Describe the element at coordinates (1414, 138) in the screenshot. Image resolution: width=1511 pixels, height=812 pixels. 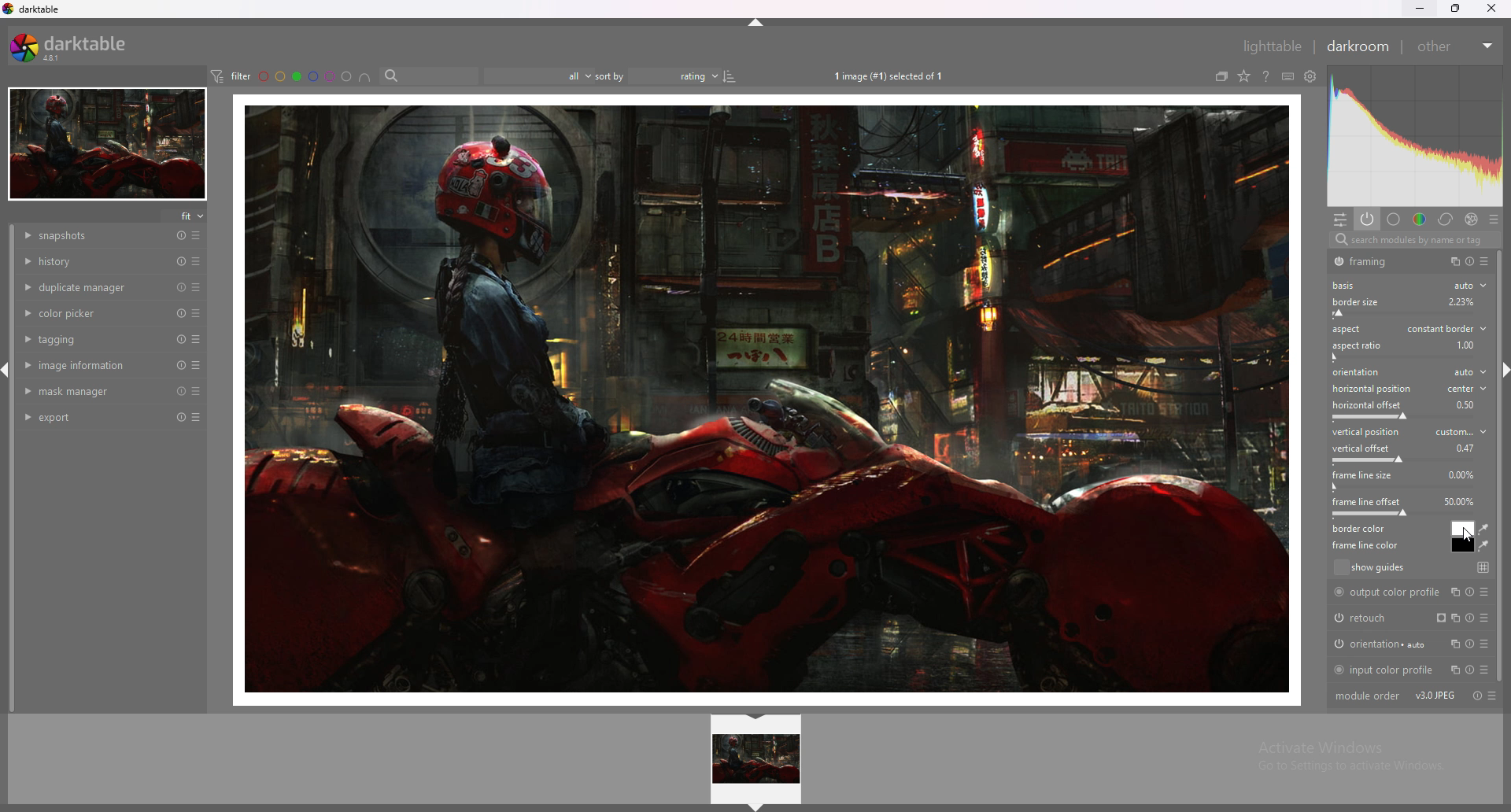
I see `photo heatmap` at that location.